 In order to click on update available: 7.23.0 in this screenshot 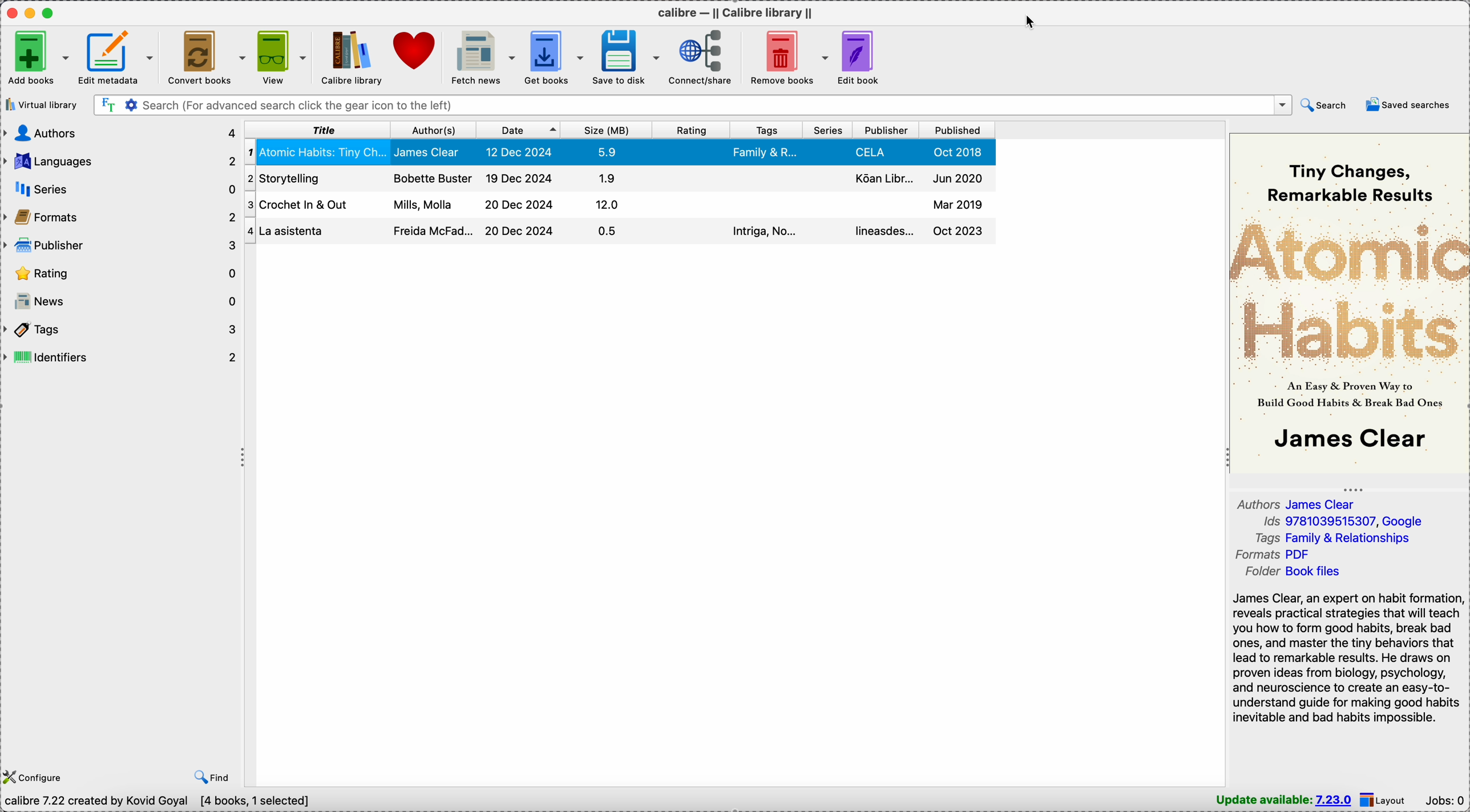, I will do `click(1283, 800)`.